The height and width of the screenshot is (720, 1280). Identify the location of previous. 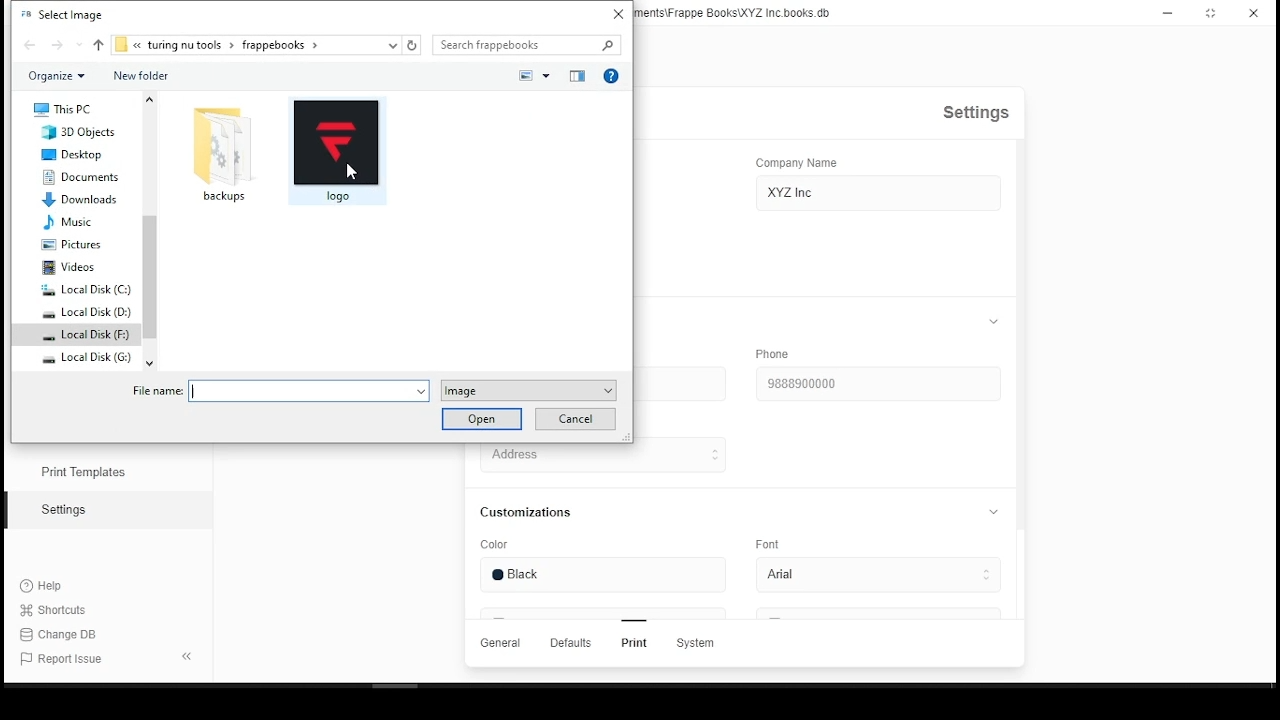
(32, 45).